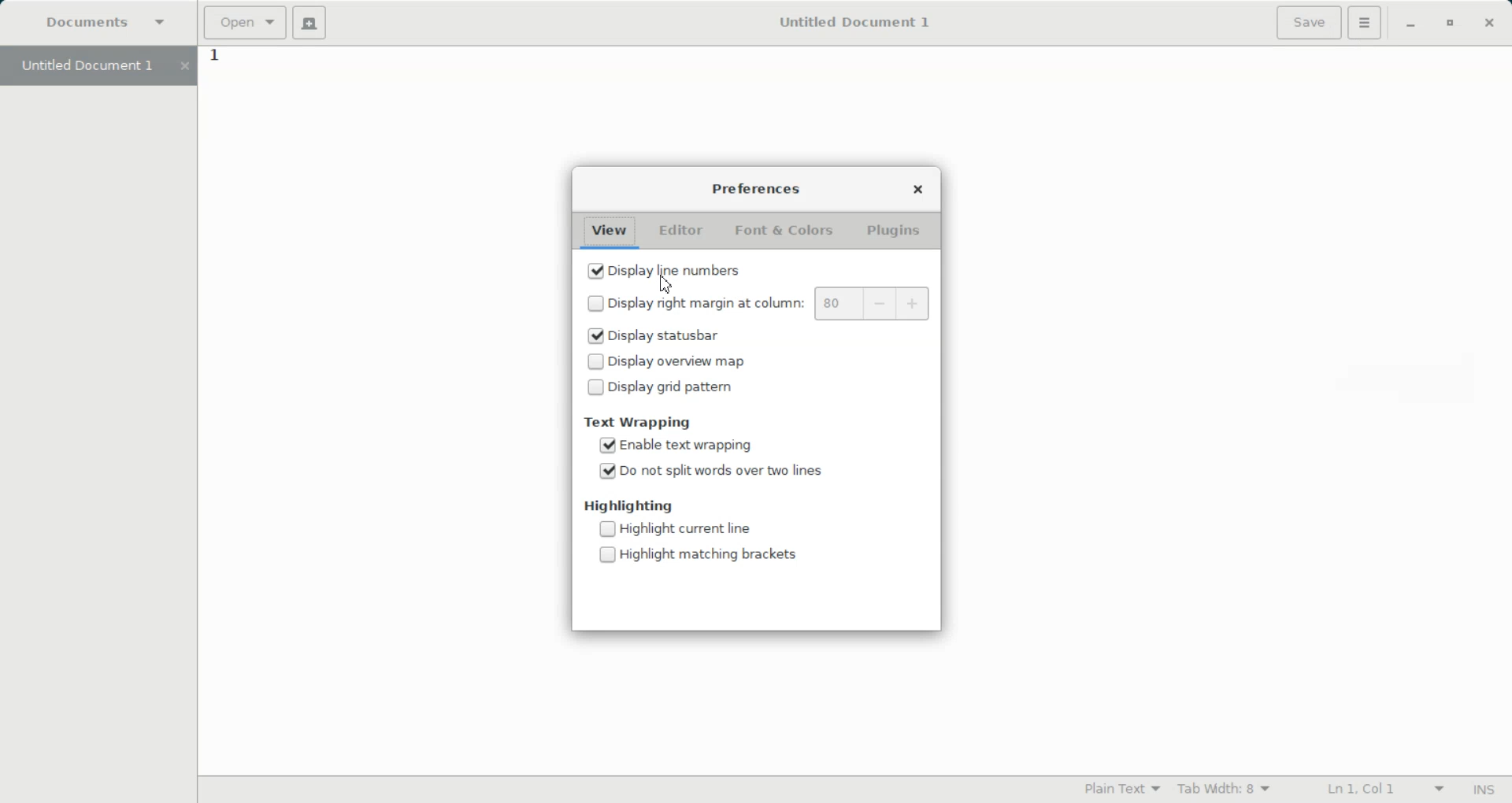  I want to click on (un)check Enable text wrapping, so click(675, 445).